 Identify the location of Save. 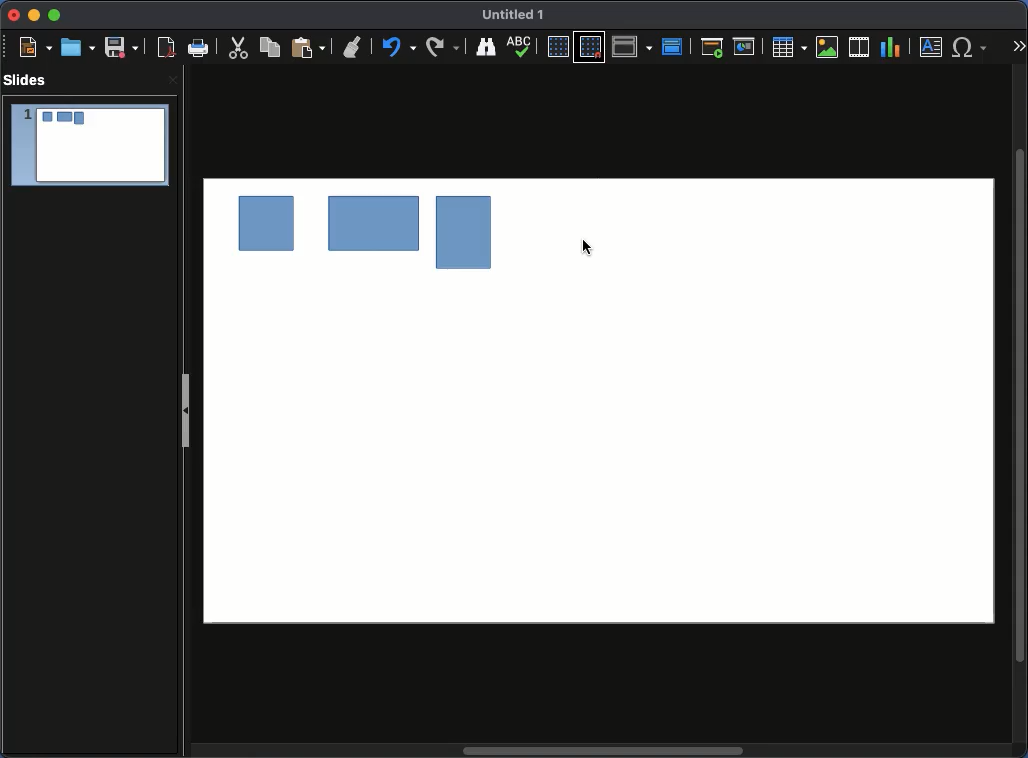
(121, 48).